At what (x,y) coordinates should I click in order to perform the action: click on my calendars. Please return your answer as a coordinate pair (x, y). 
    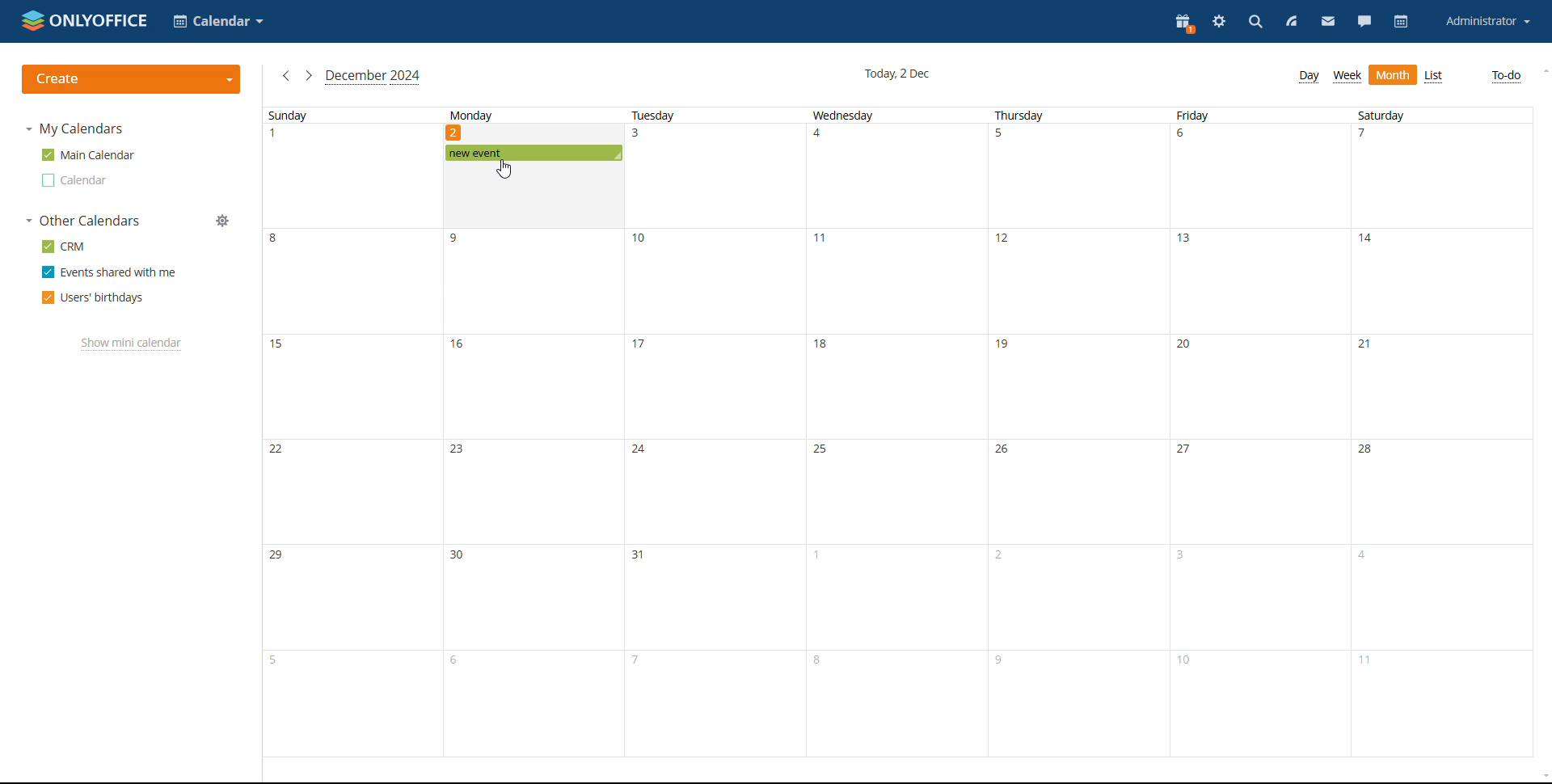
    Looking at the image, I should click on (73, 129).